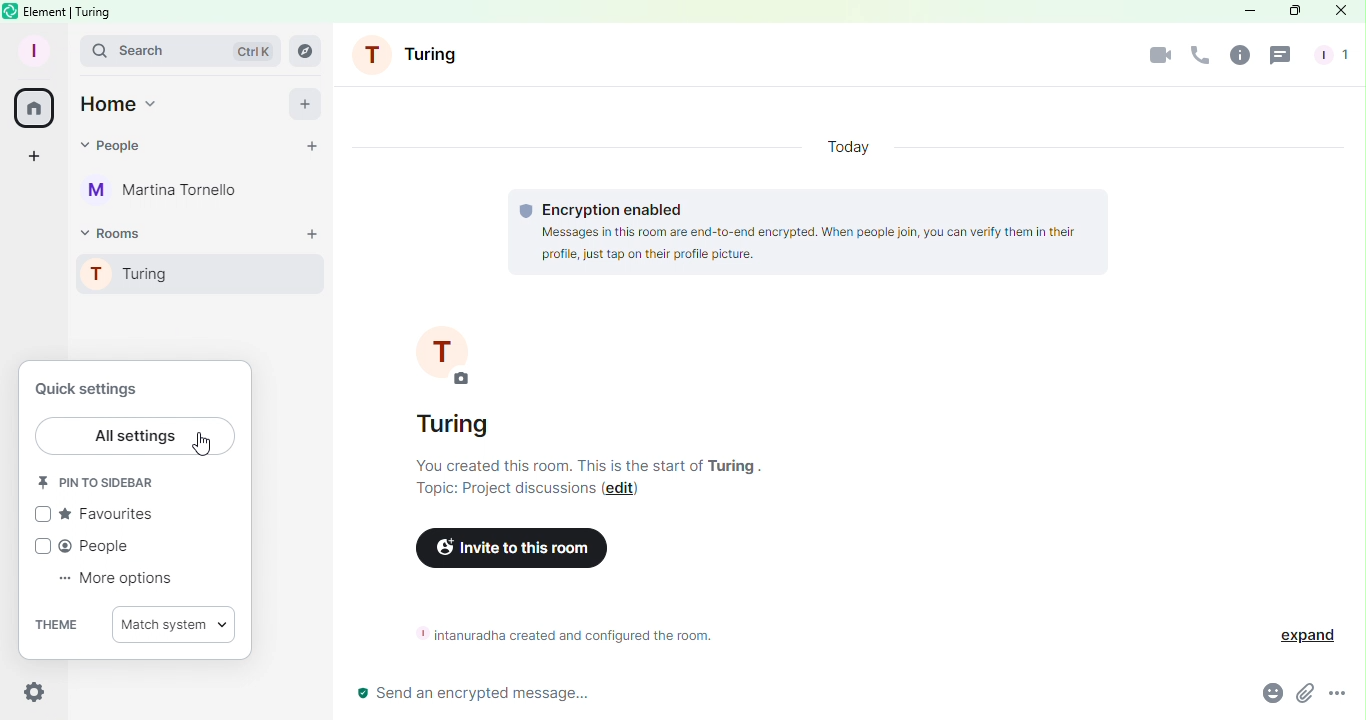 This screenshot has width=1366, height=720. What do you see at coordinates (107, 513) in the screenshot?
I see `Favourites` at bounding box center [107, 513].